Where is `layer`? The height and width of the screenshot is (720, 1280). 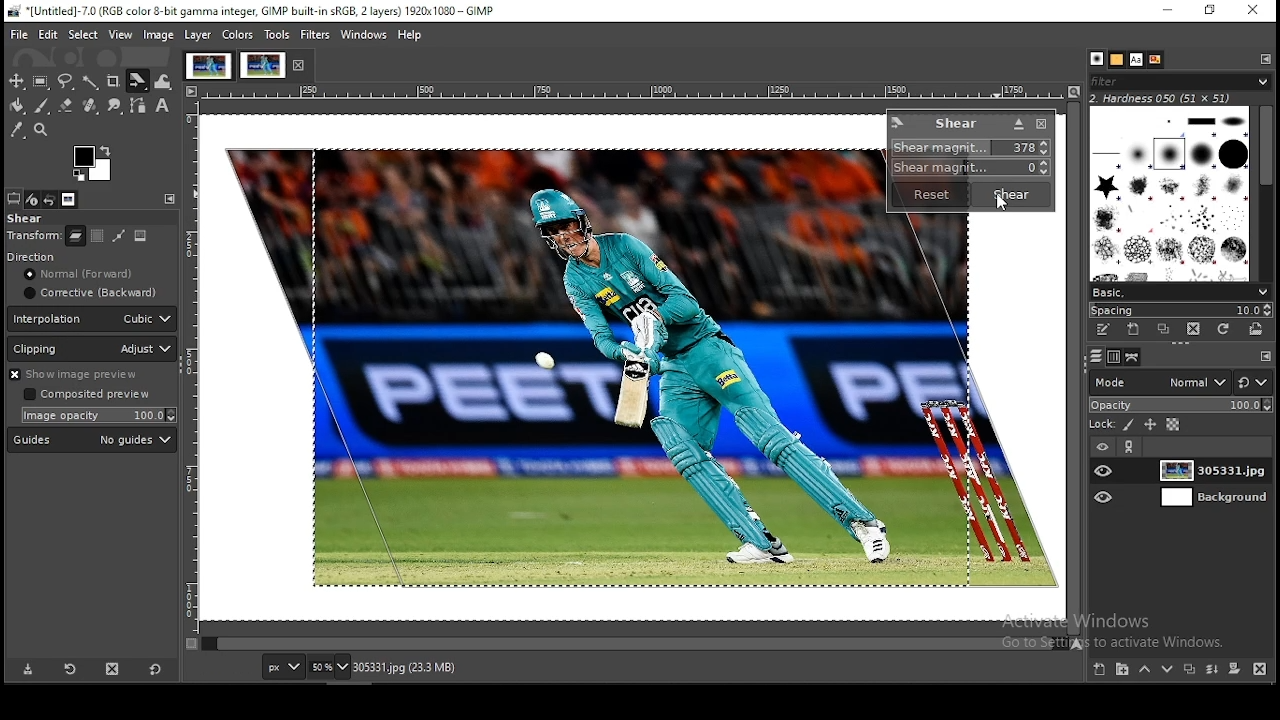 layer is located at coordinates (76, 236).